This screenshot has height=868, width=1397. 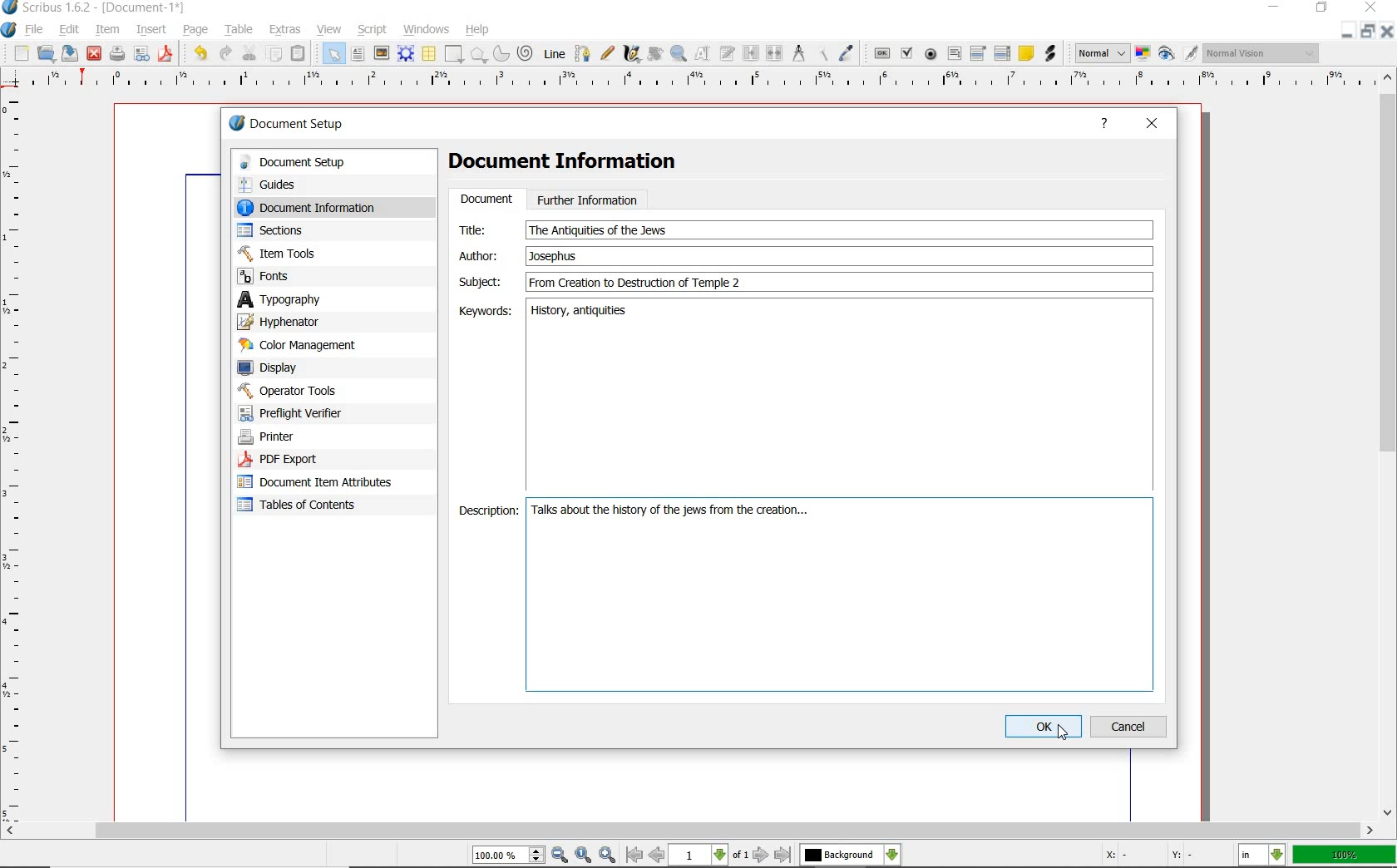 What do you see at coordinates (274, 53) in the screenshot?
I see `copy` at bounding box center [274, 53].